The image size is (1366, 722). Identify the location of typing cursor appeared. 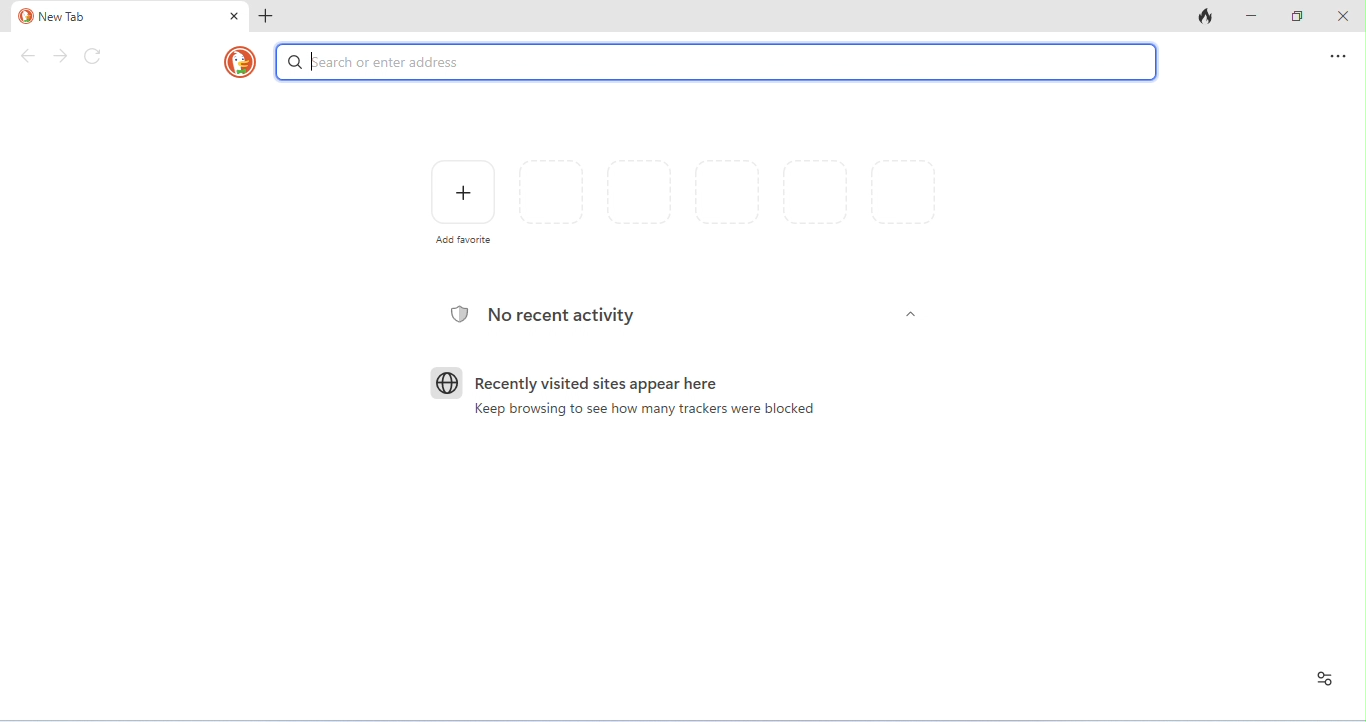
(316, 61).